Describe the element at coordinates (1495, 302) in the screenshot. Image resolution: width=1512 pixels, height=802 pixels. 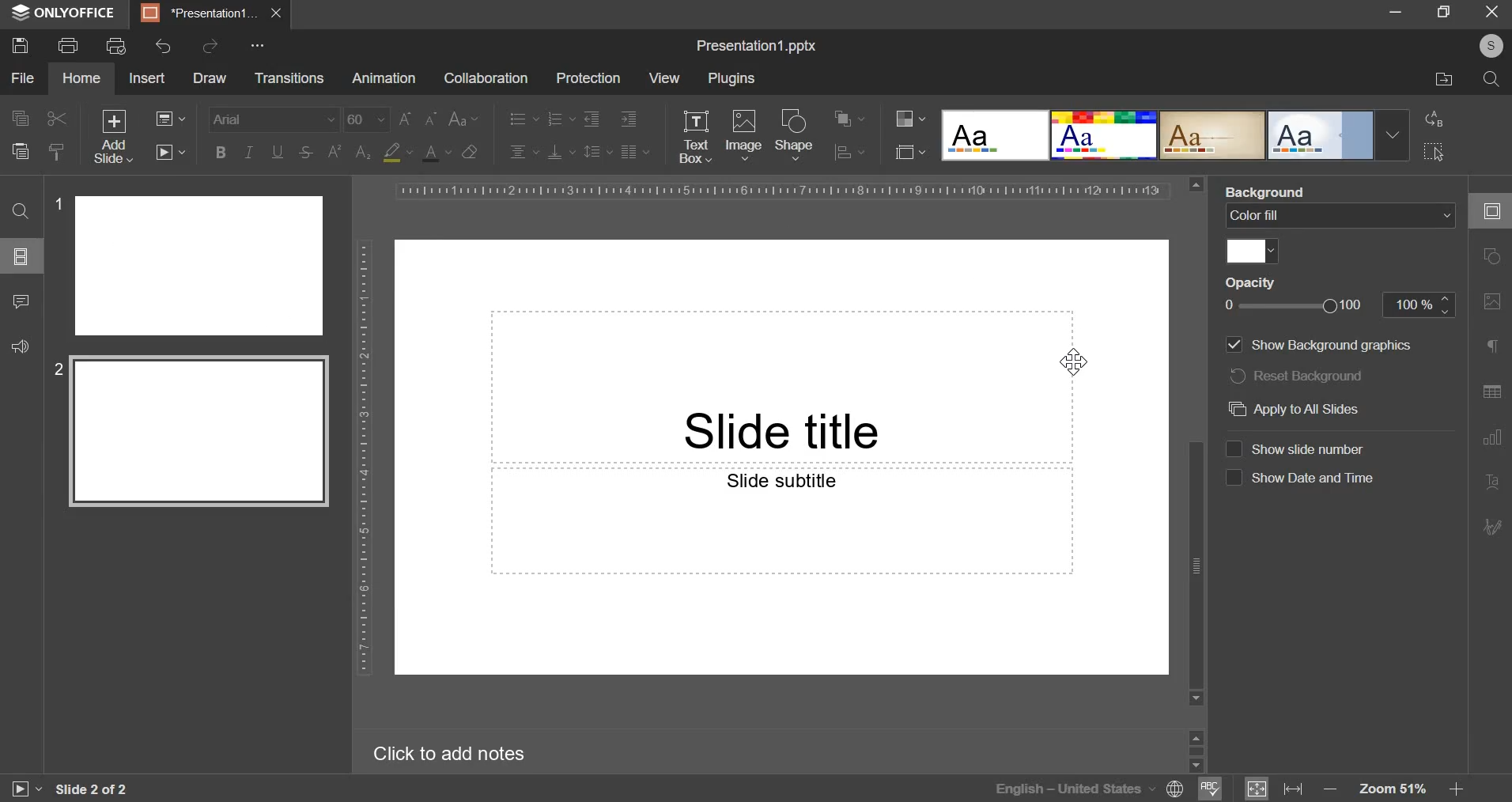
I see `image settings` at that location.